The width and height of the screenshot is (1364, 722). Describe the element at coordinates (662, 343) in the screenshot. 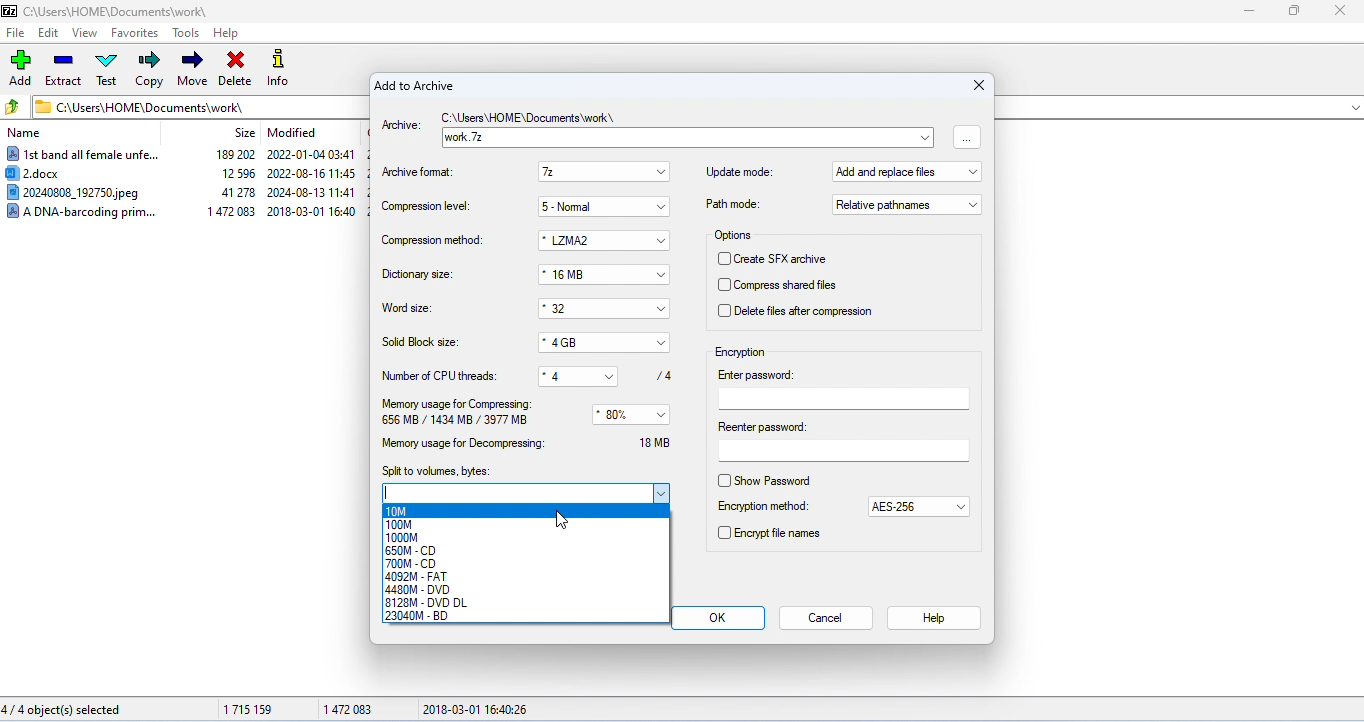

I see `drop down` at that location.